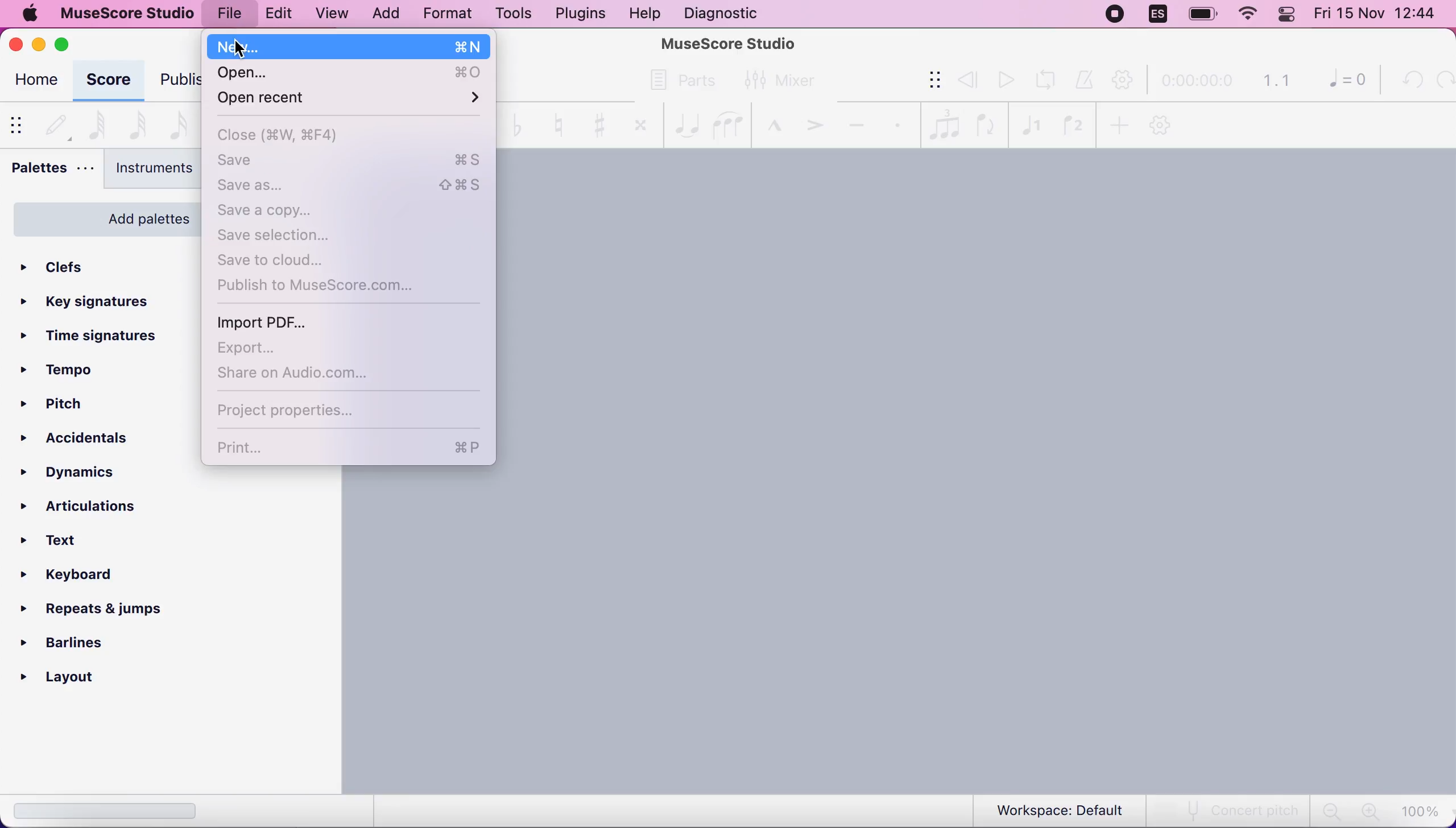 The height and width of the screenshot is (828, 1456). I want to click on save selection, so click(288, 235).